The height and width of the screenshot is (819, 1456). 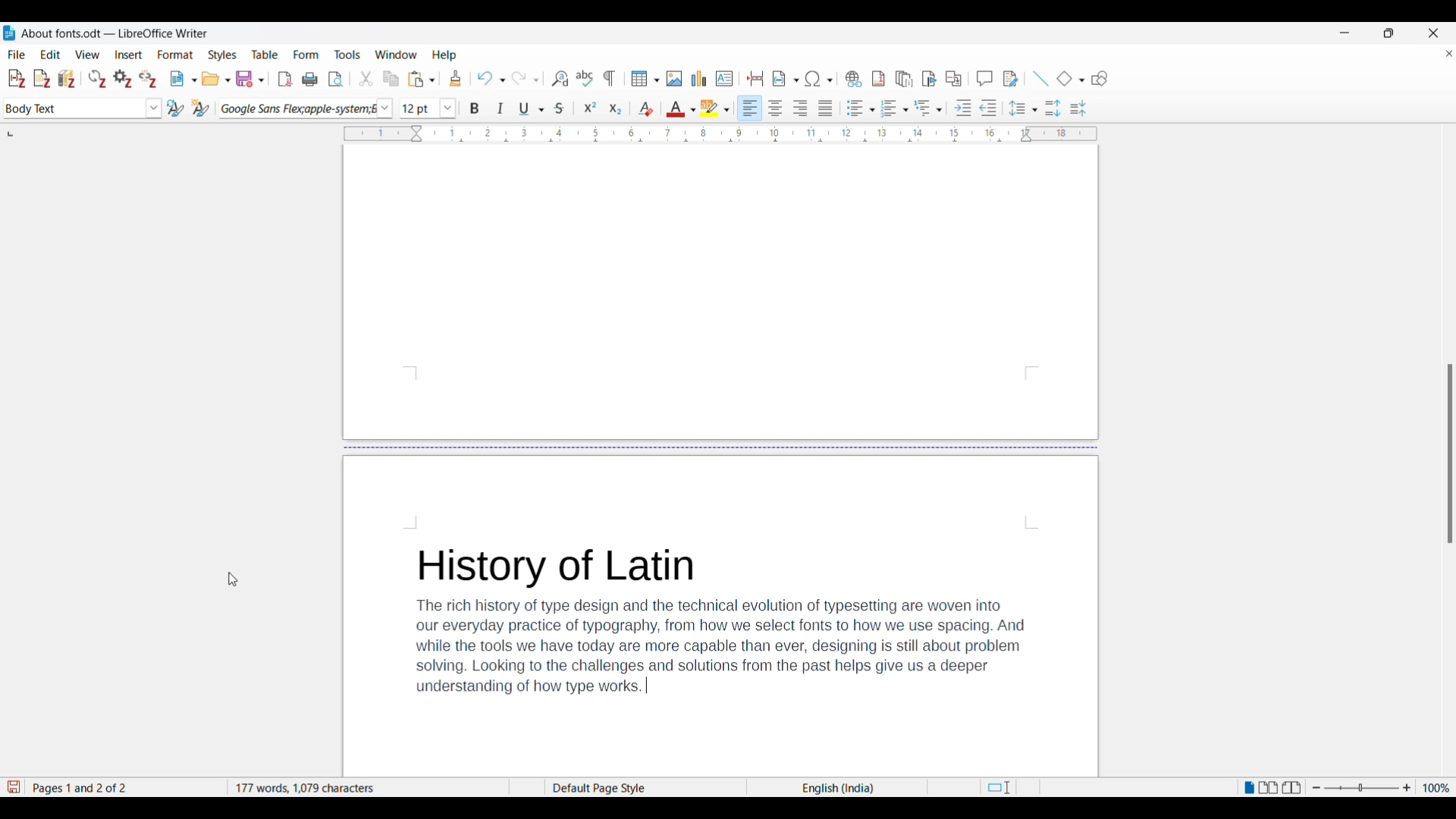 What do you see at coordinates (560, 78) in the screenshot?
I see `Find and replace` at bounding box center [560, 78].